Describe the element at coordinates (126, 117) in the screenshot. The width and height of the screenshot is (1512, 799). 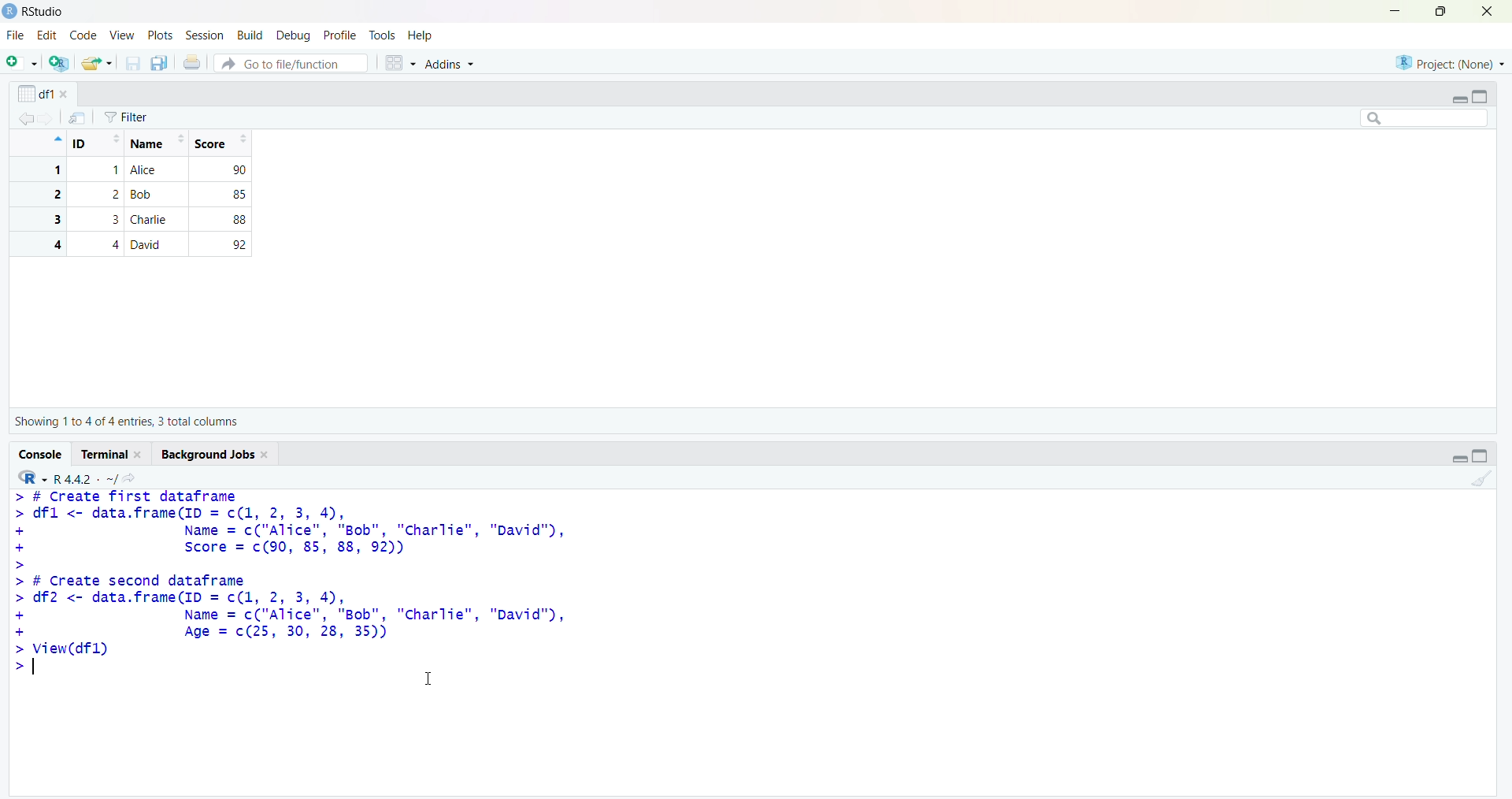
I see `Filter` at that location.